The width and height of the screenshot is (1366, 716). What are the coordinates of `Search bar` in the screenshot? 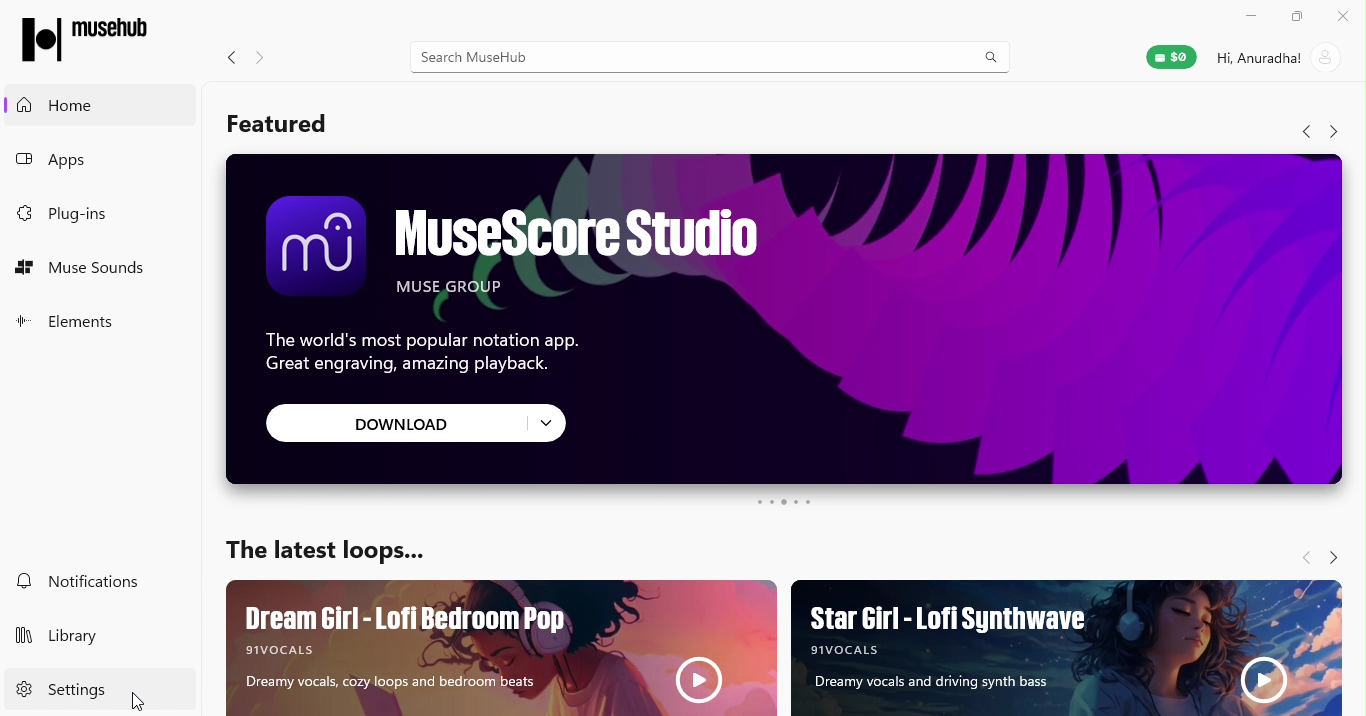 It's located at (719, 54).